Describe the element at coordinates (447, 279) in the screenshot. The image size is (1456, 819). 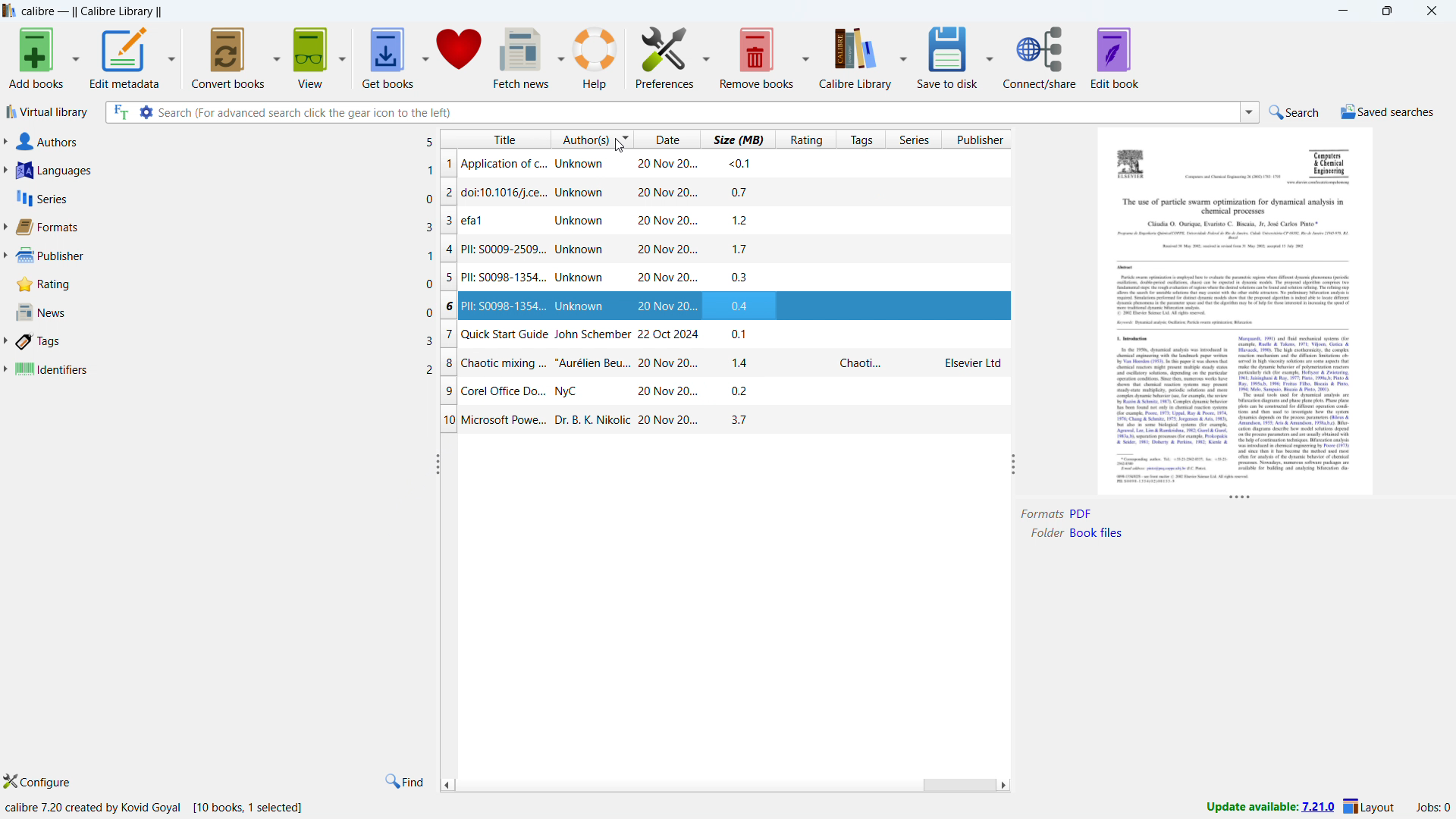
I see `5` at that location.